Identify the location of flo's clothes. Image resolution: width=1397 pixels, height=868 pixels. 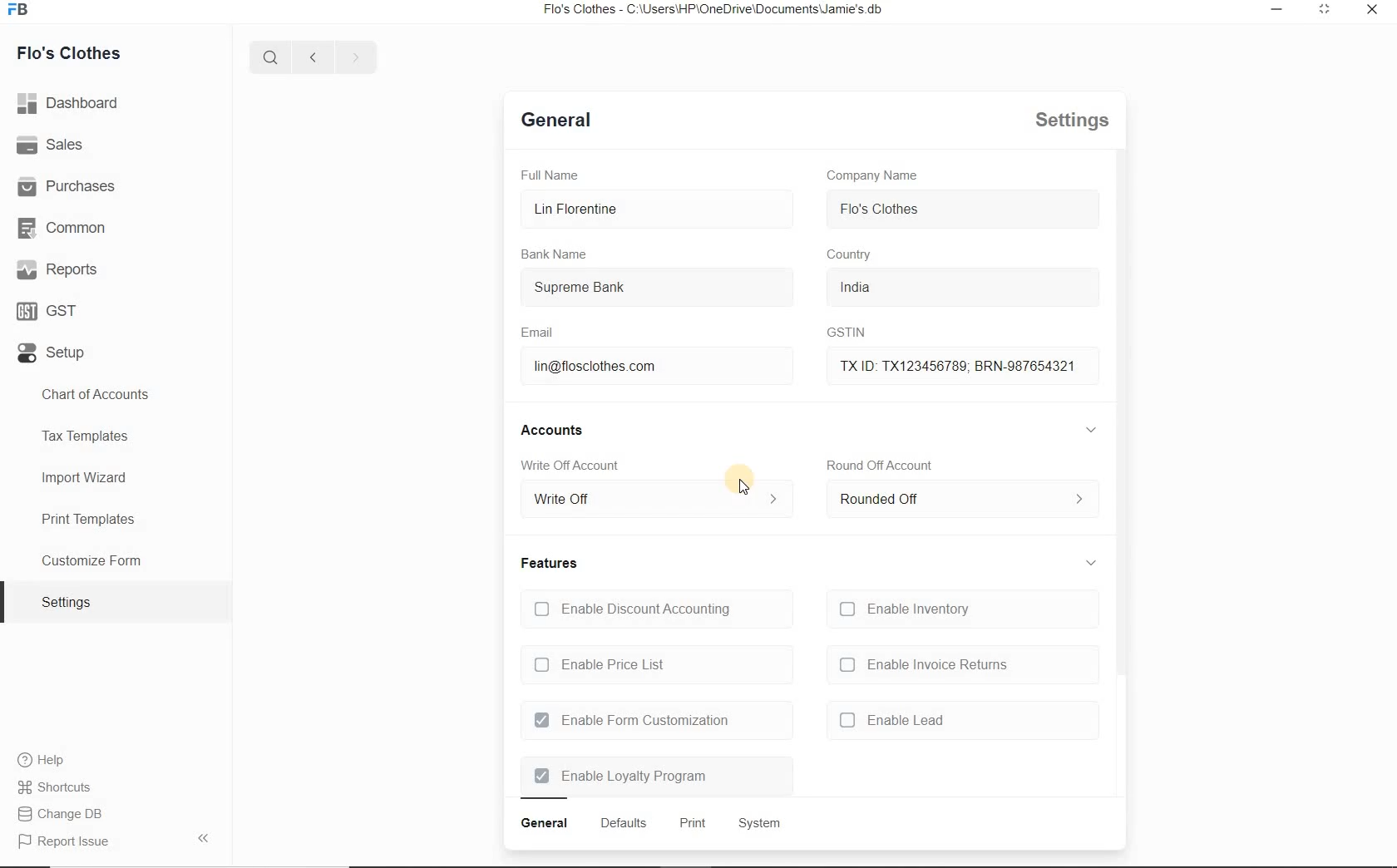
(881, 209).